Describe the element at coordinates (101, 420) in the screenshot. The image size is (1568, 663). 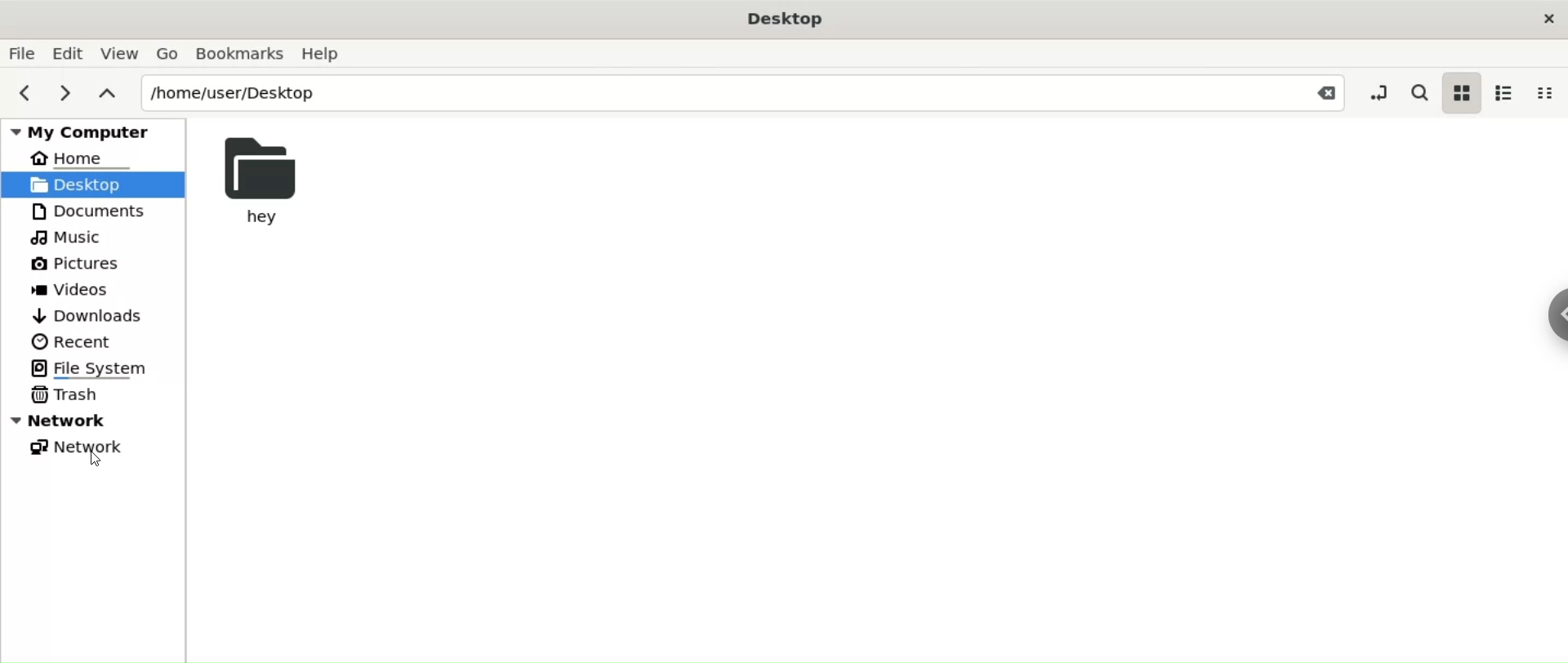
I see `Network` at that location.